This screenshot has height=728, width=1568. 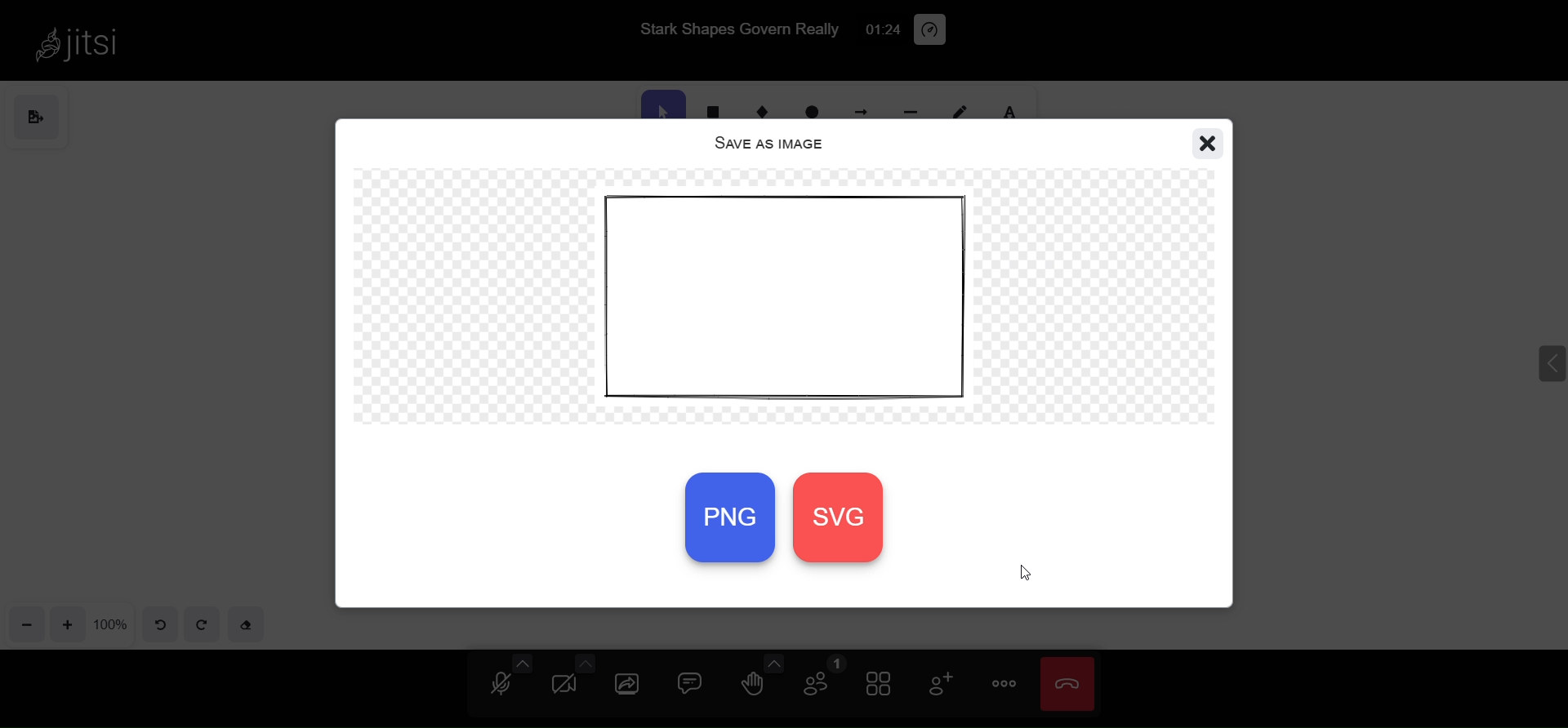 What do you see at coordinates (504, 686) in the screenshot?
I see `microphone` at bounding box center [504, 686].